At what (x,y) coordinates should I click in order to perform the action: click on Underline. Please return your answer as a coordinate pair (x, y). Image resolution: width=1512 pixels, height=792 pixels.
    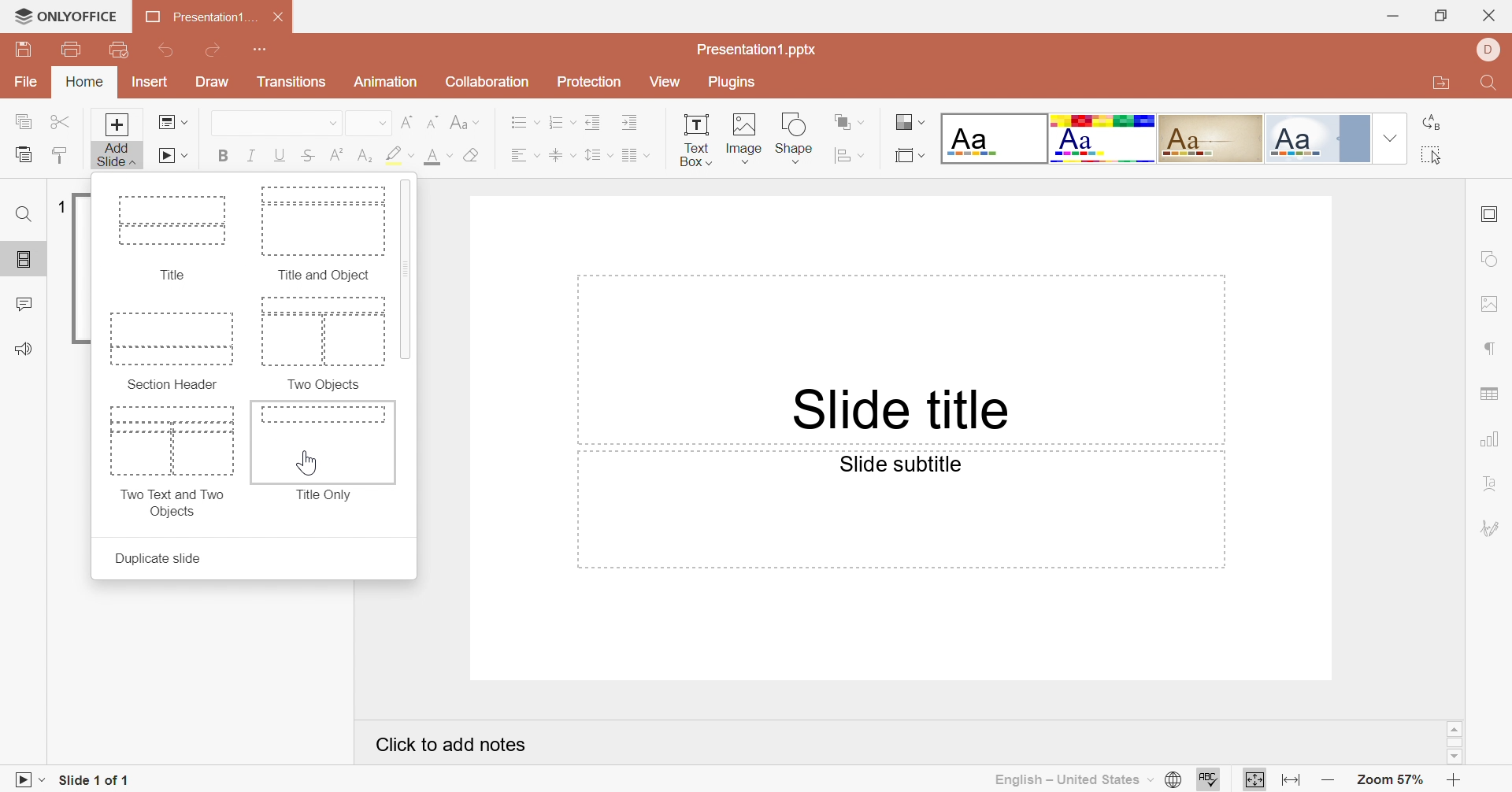
    Looking at the image, I should click on (279, 155).